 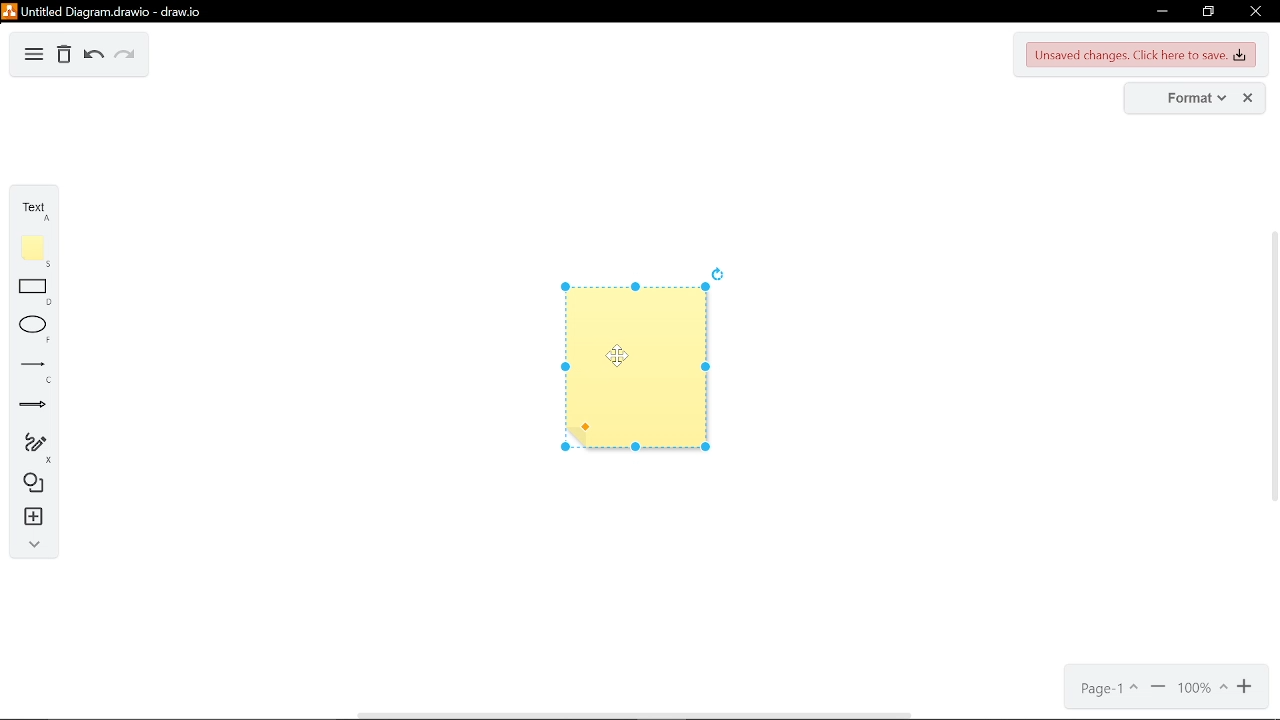 What do you see at coordinates (1256, 11) in the screenshot?
I see `close` at bounding box center [1256, 11].